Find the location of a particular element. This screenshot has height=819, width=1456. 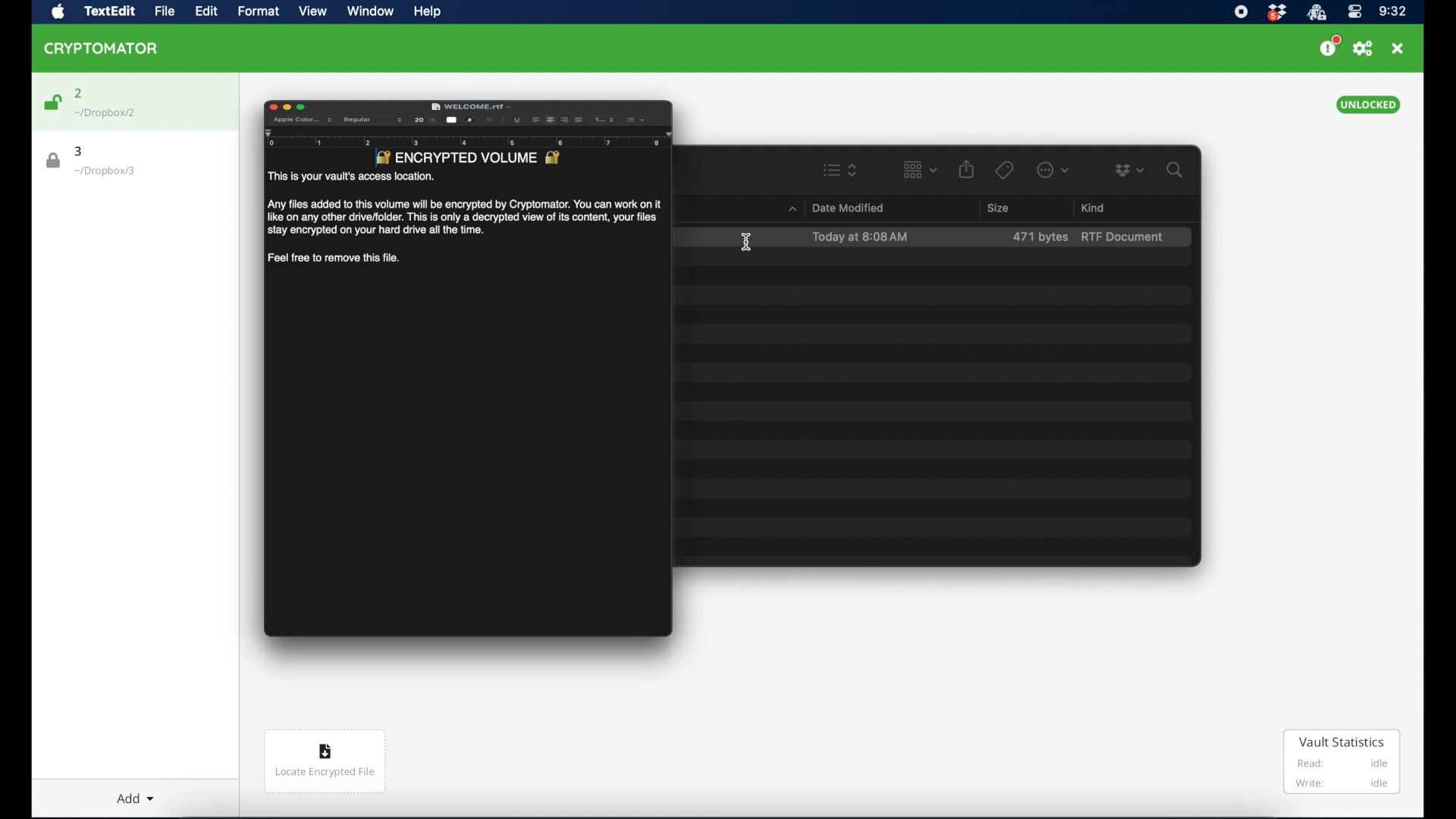

list view stepper button is located at coordinates (841, 171).